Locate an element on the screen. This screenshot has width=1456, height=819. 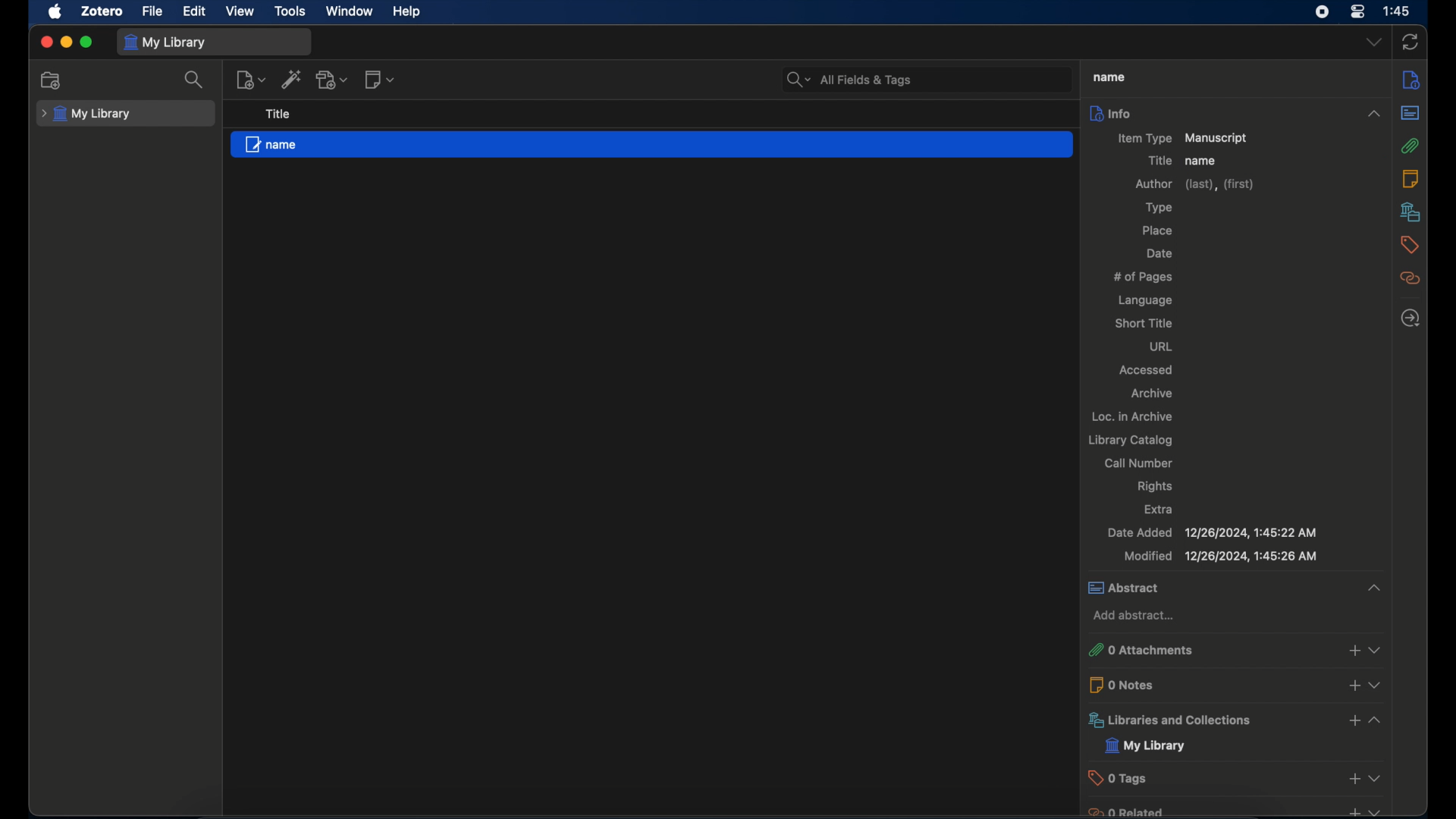
modified 12/26/2024, 1:45:22 AM is located at coordinates (1220, 556).